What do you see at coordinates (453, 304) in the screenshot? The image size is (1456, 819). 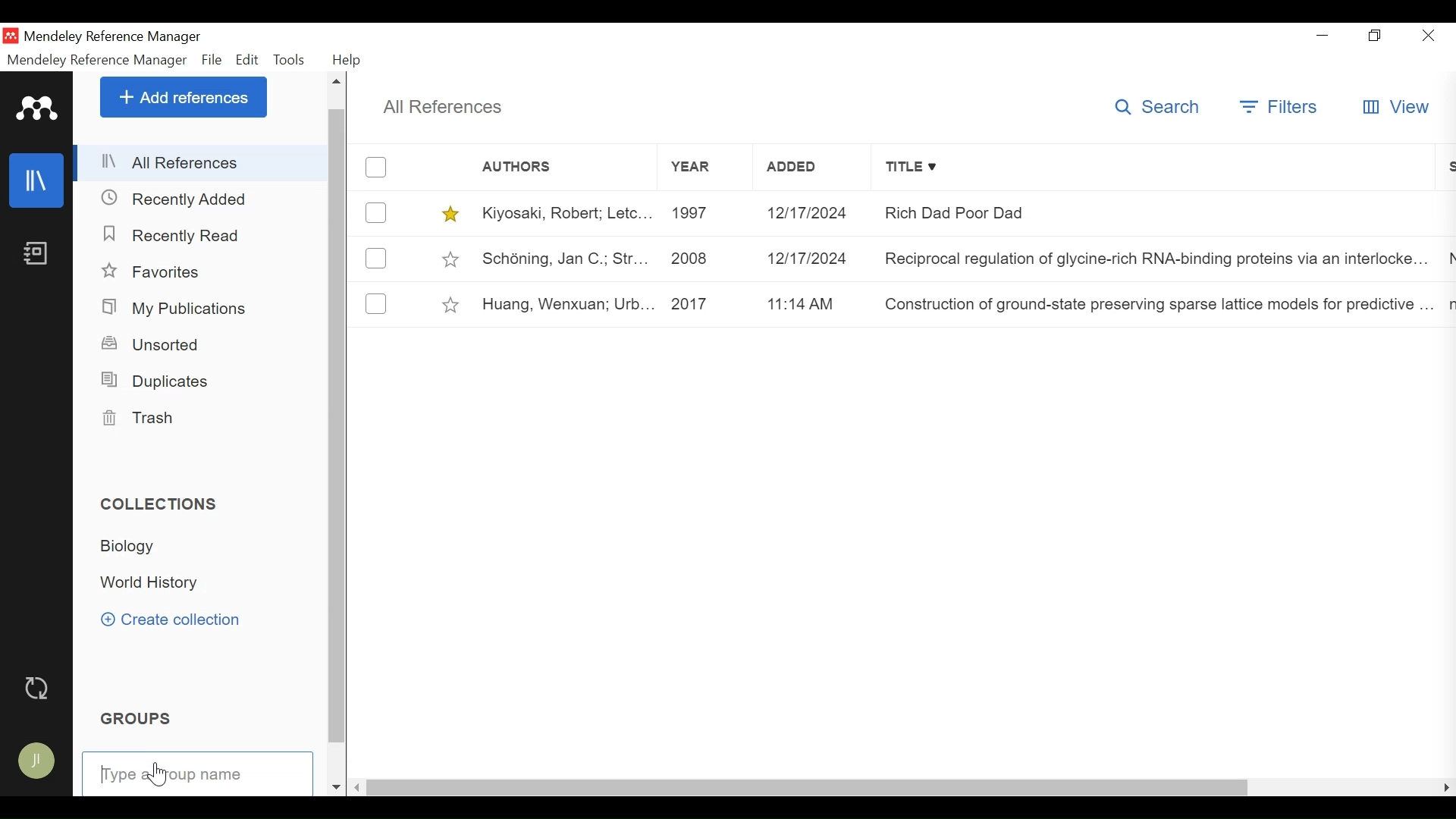 I see `toggle Favorites` at bounding box center [453, 304].